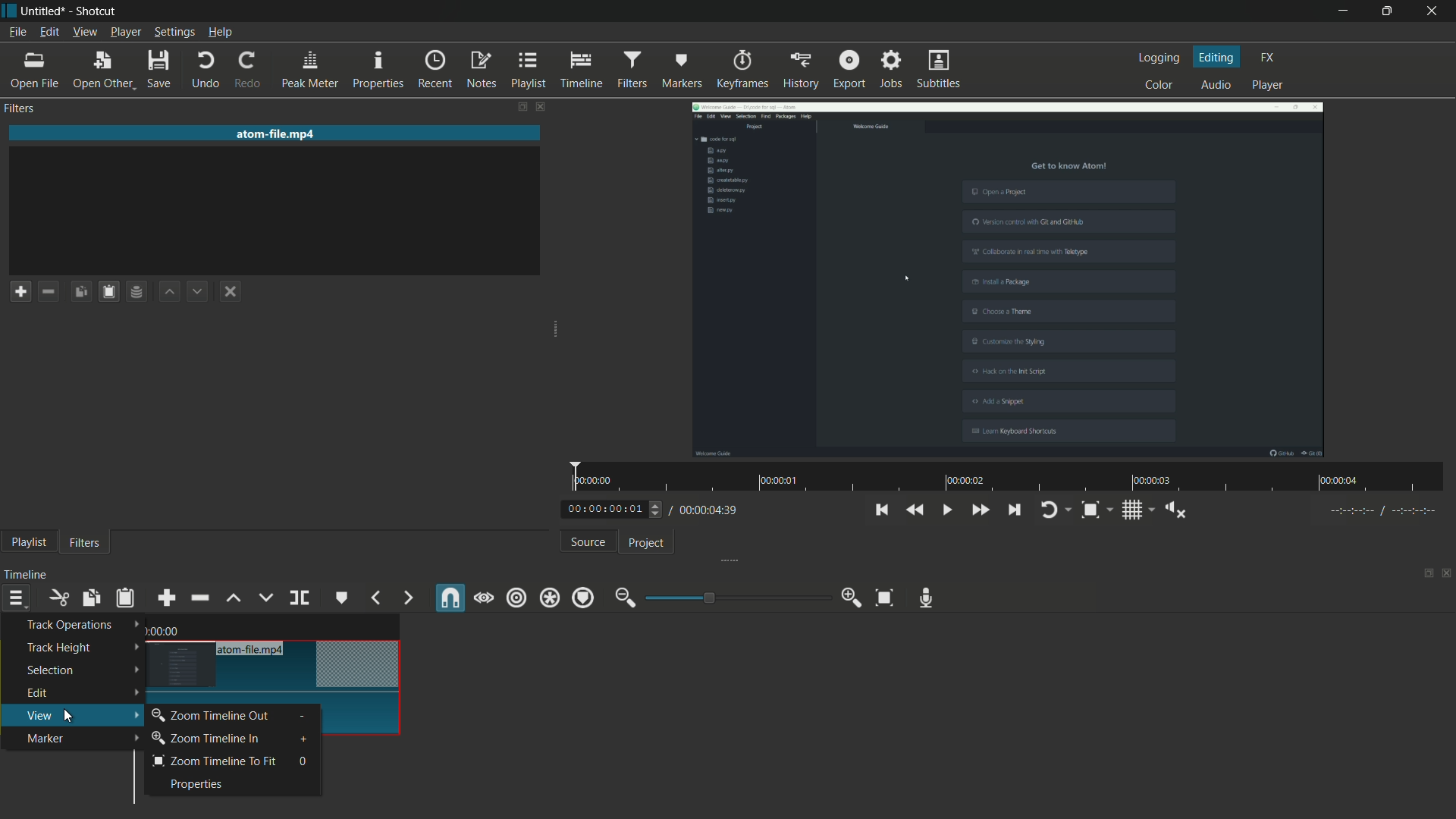 Image resolution: width=1456 pixels, height=819 pixels. I want to click on append, so click(166, 598).